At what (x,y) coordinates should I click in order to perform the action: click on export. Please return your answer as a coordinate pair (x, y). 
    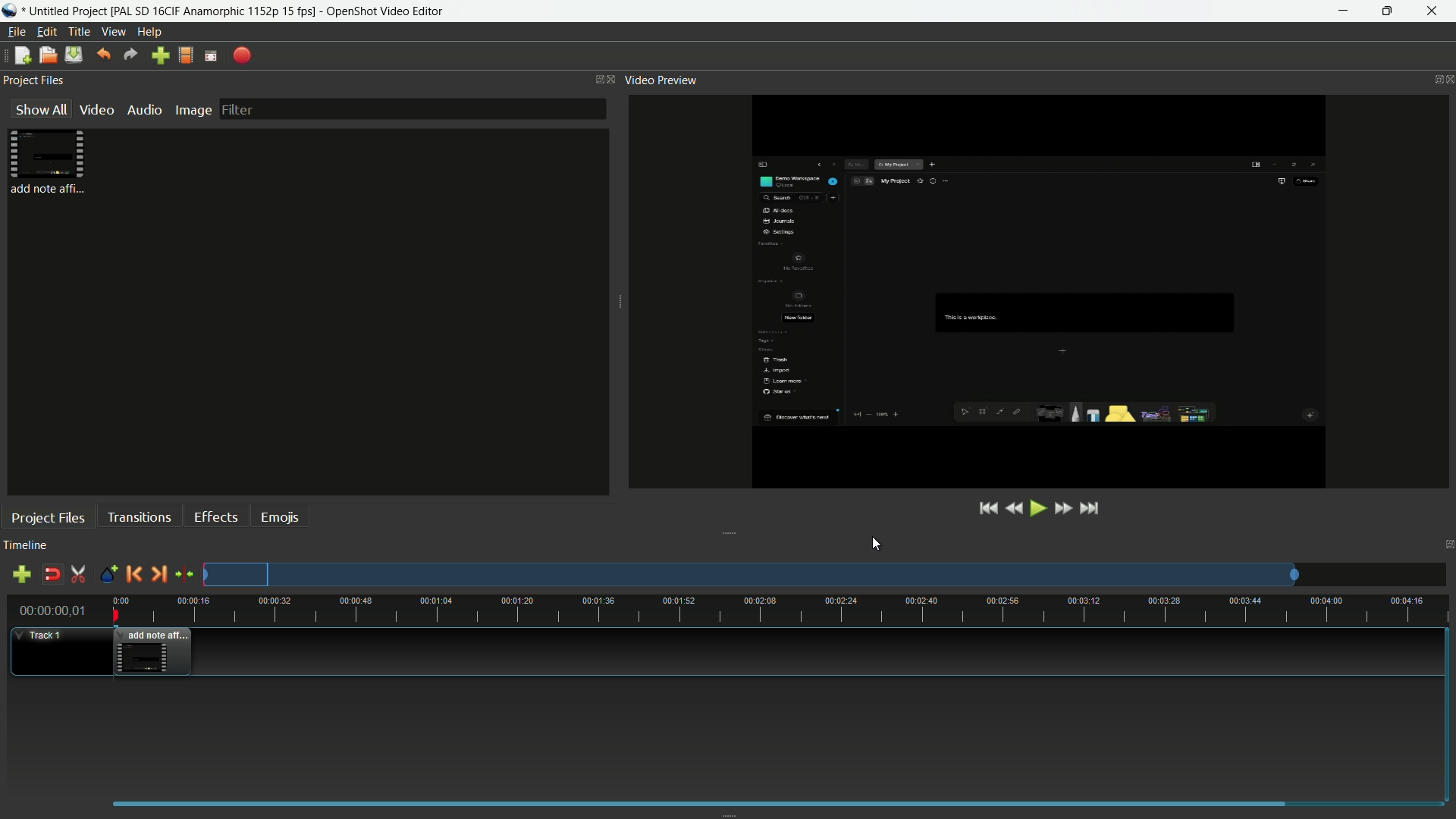
    Looking at the image, I should click on (241, 57).